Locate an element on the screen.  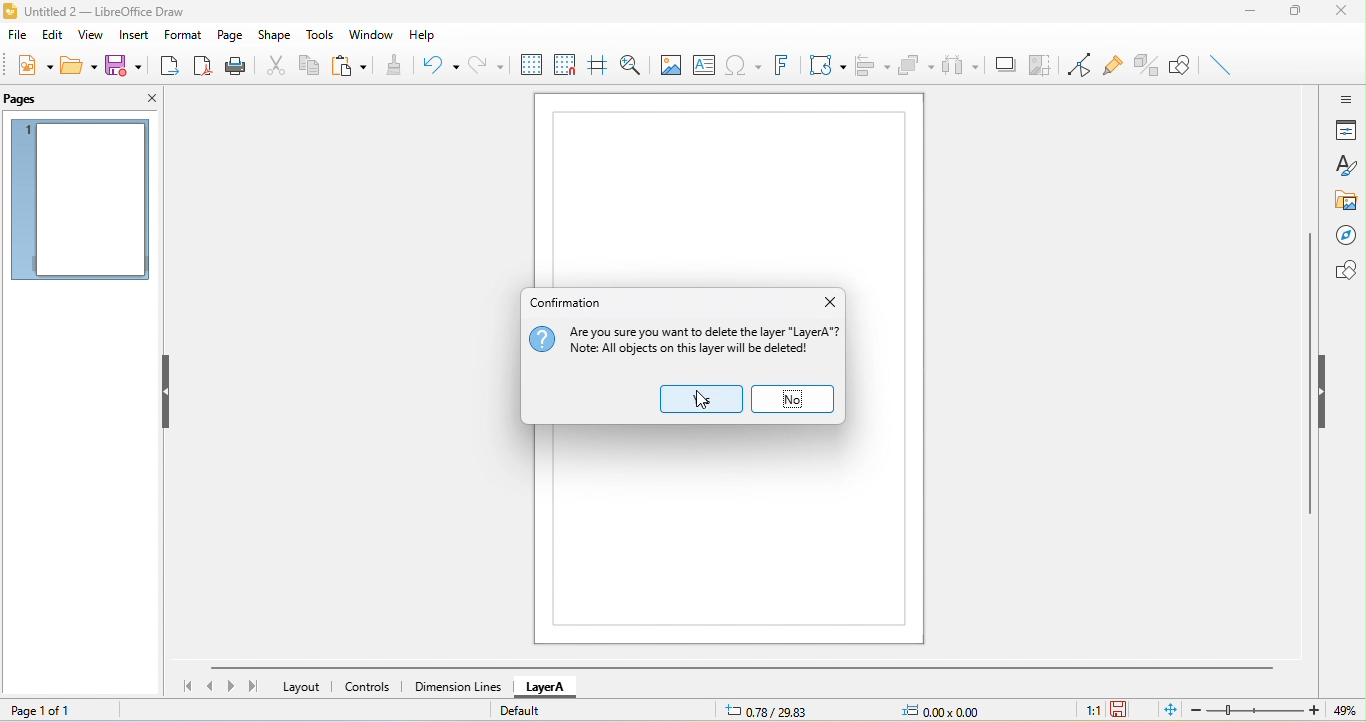
display grid is located at coordinates (532, 64).